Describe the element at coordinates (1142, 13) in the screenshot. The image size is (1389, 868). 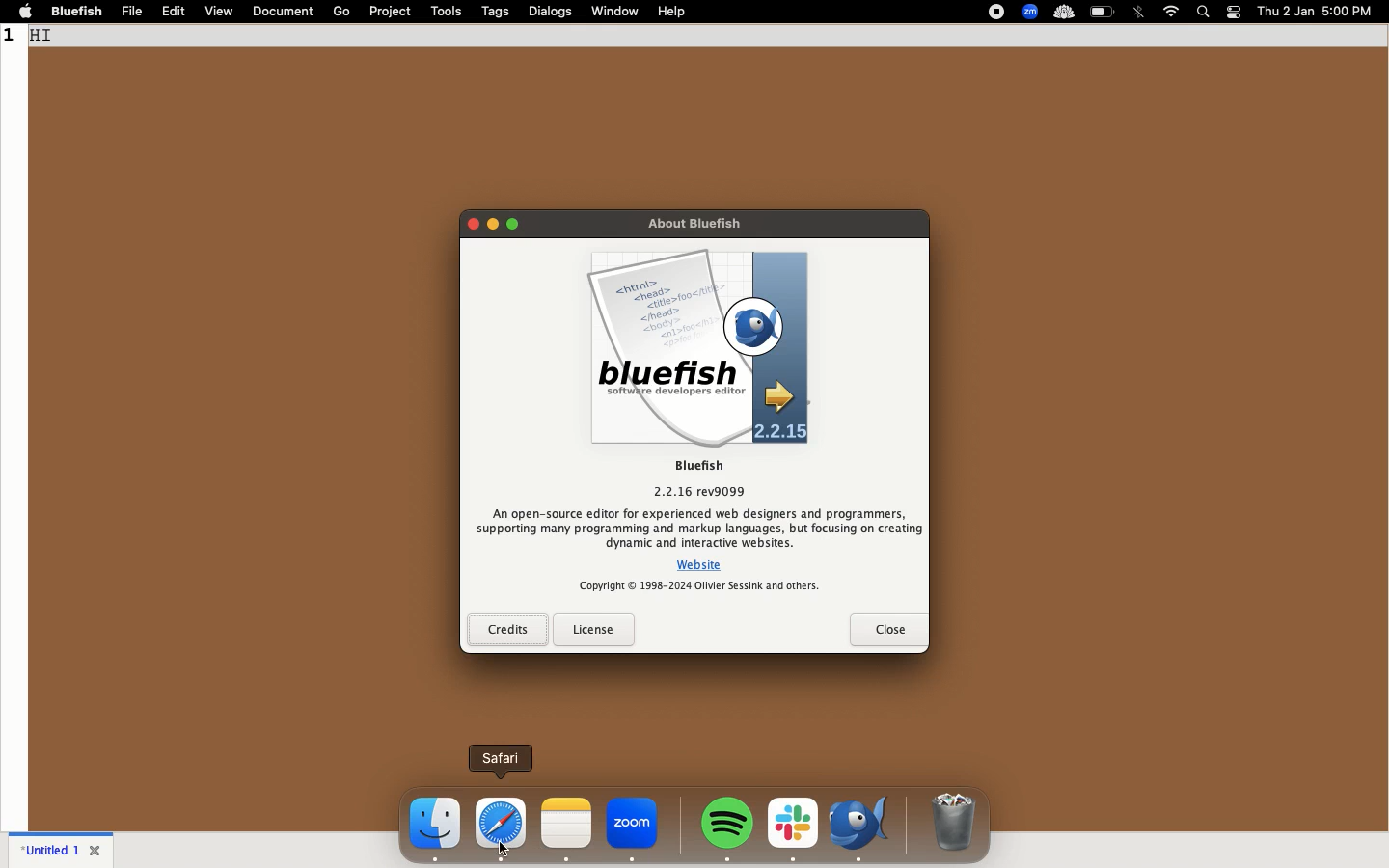
I see `bluetooth` at that location.